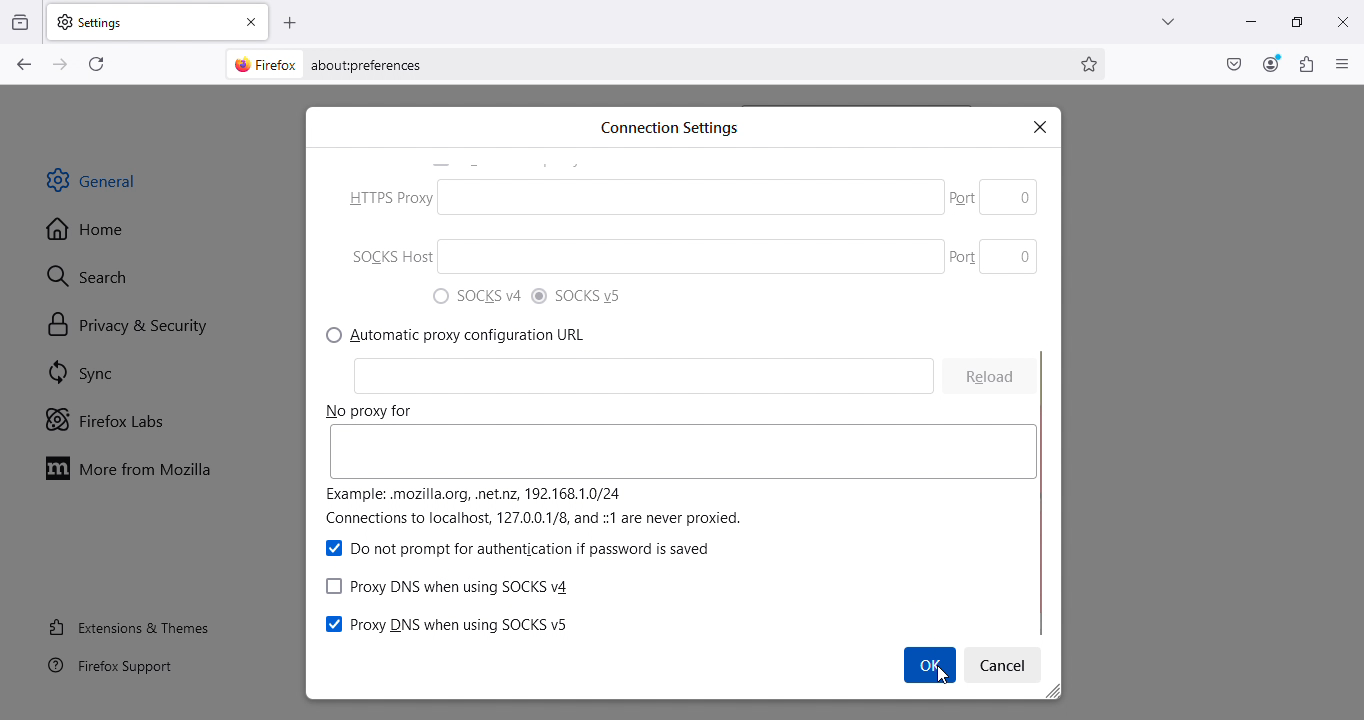 Image resolution: width=1364 pixels, height=720 pixels. Describe the element at coordinates (625, 488) in the screenshot. I see `SOCKS Host` at that location.